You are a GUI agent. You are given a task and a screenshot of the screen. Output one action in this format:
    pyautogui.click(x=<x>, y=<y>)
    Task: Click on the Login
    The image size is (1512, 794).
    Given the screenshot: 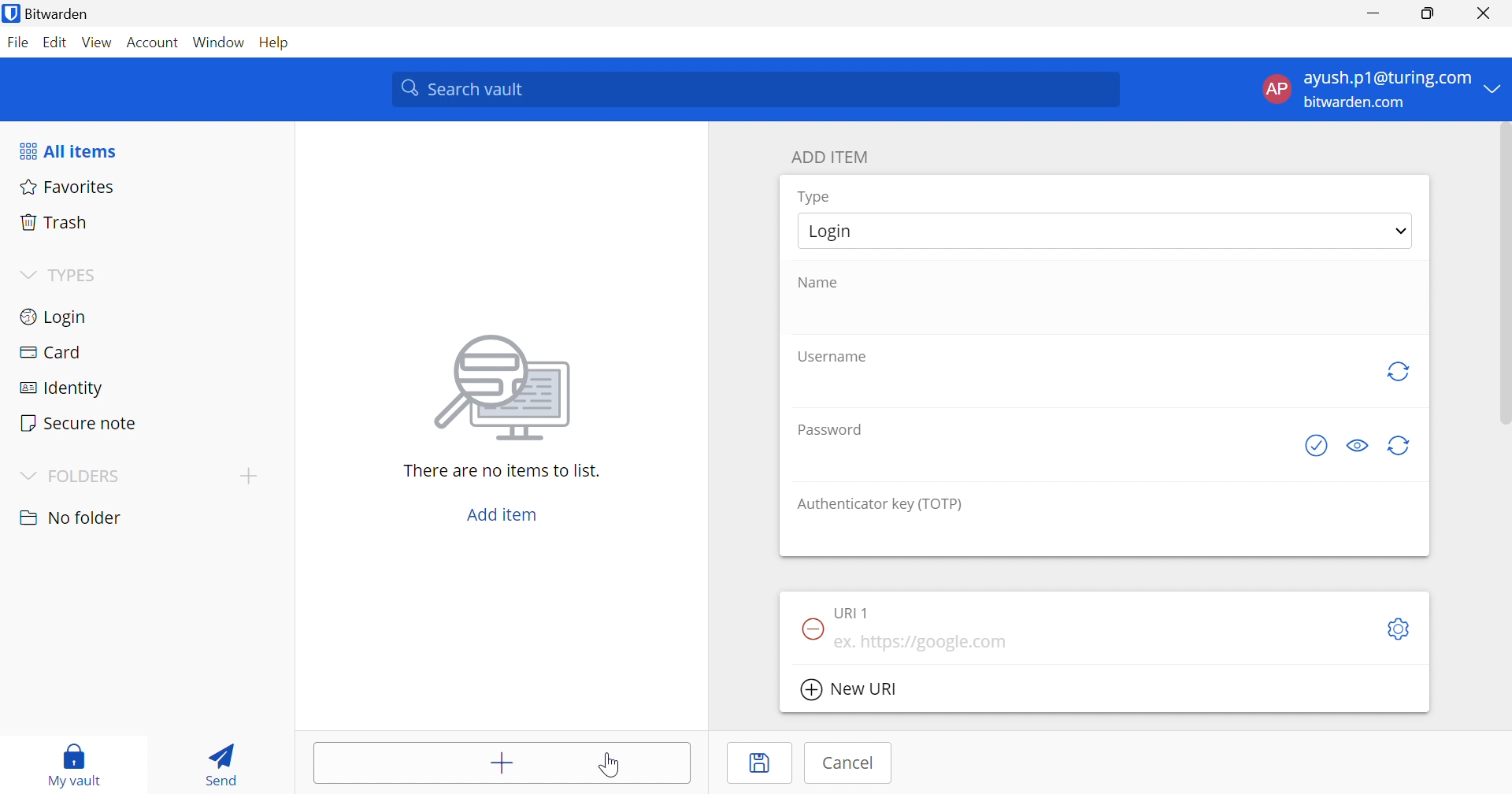 What is the action you would take?
    pyautogui.click(x=834, y=232)
    